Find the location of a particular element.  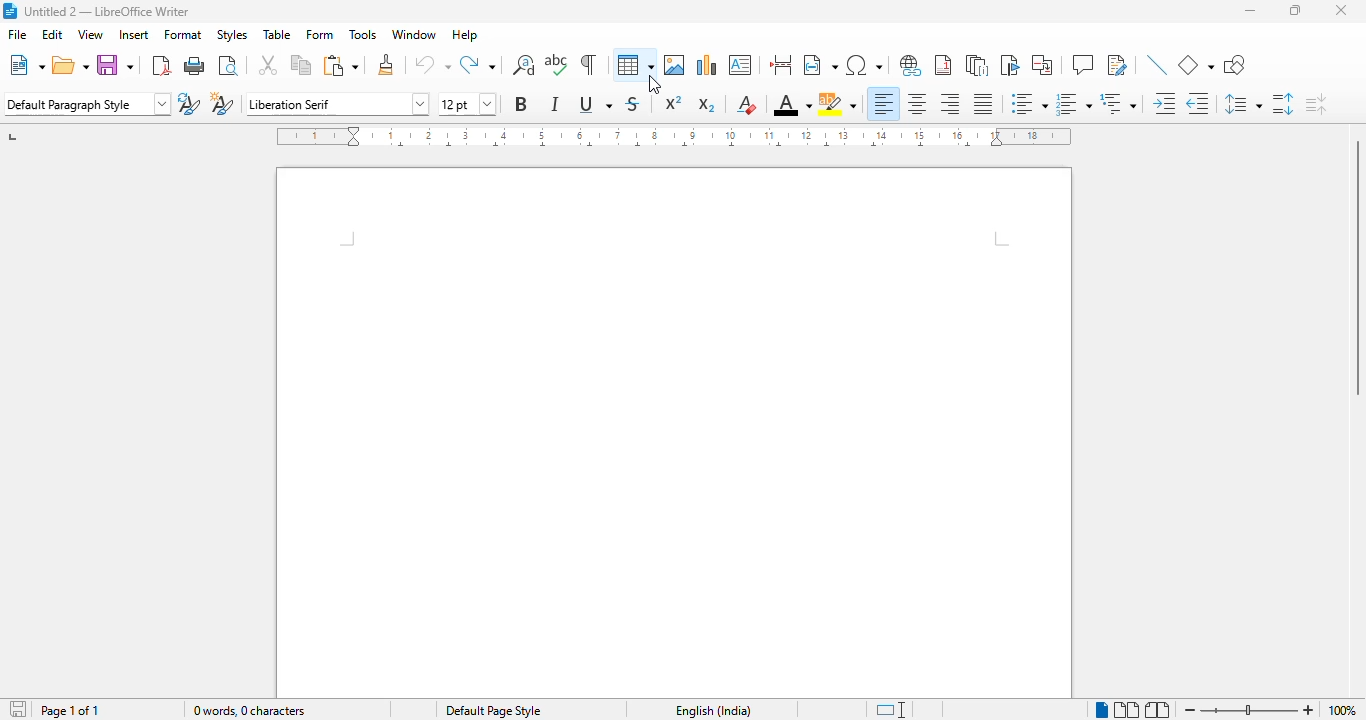

insert bookmark is located at coordinates (1010, 65).